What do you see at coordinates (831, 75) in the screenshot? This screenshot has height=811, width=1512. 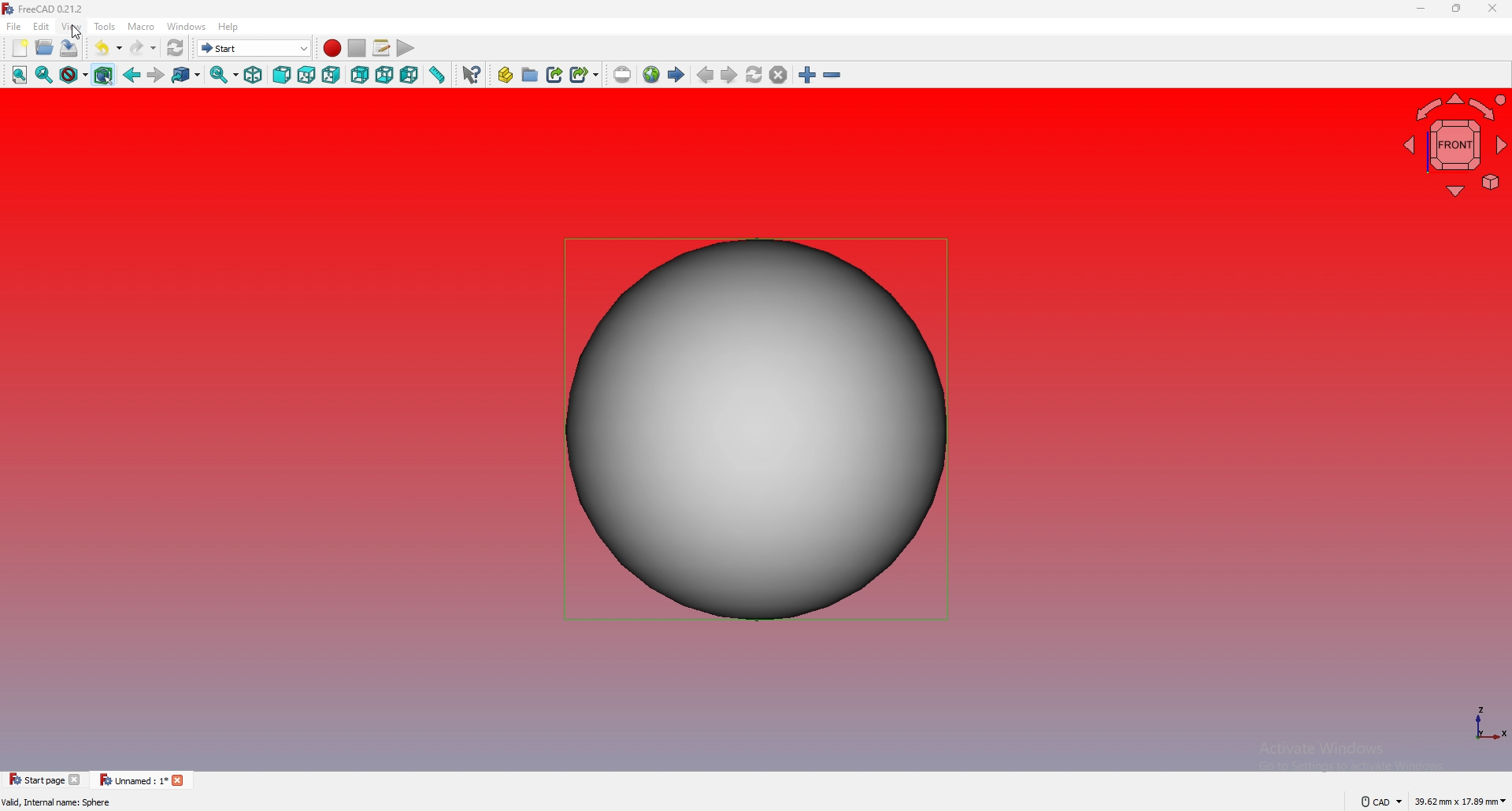 I see `zoom out` at bounding box center [831, 75].